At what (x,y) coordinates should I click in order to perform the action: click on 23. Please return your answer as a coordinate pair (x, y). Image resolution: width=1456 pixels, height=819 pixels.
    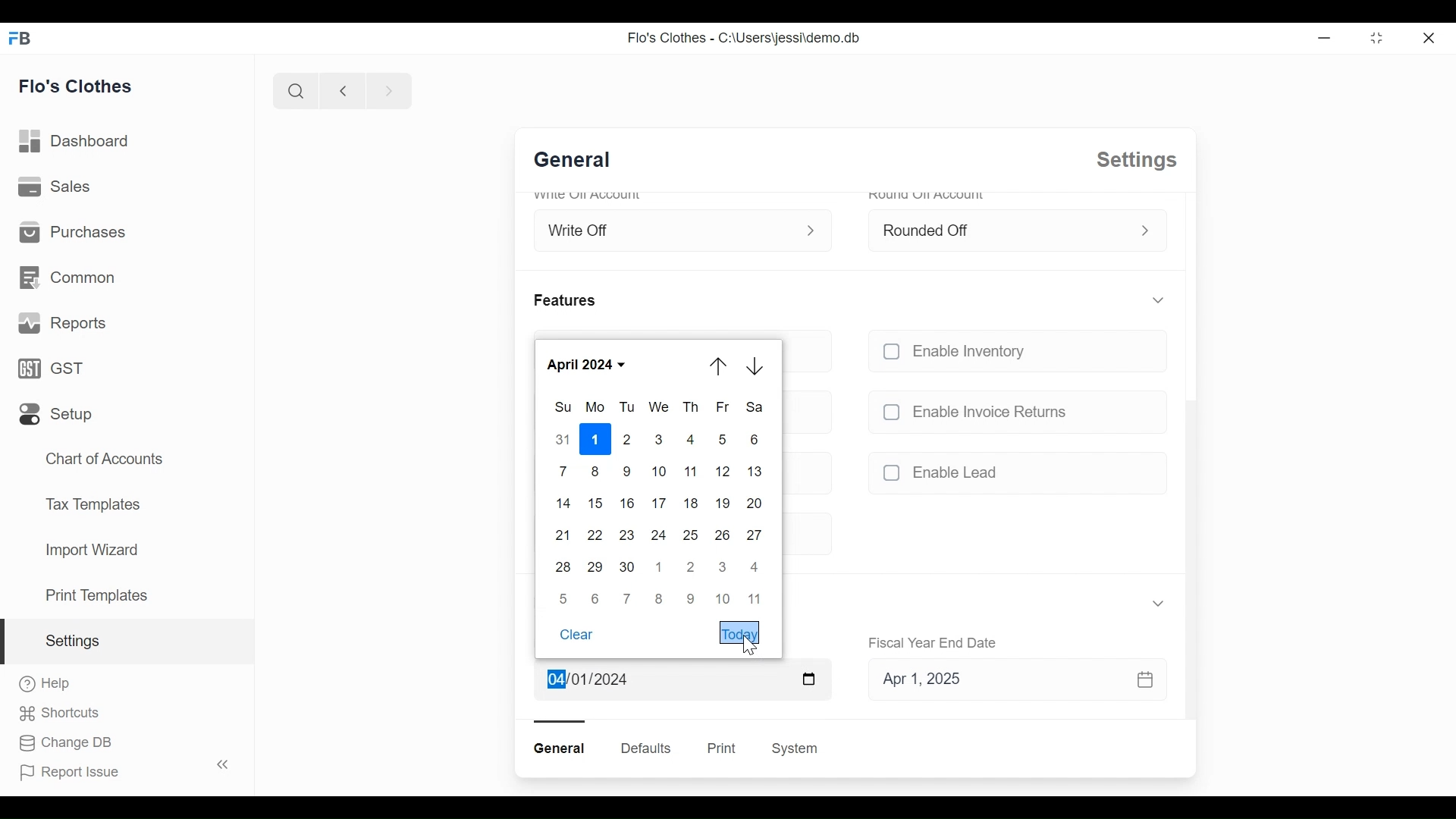
    Looking at the image, I should click on (626, 534).